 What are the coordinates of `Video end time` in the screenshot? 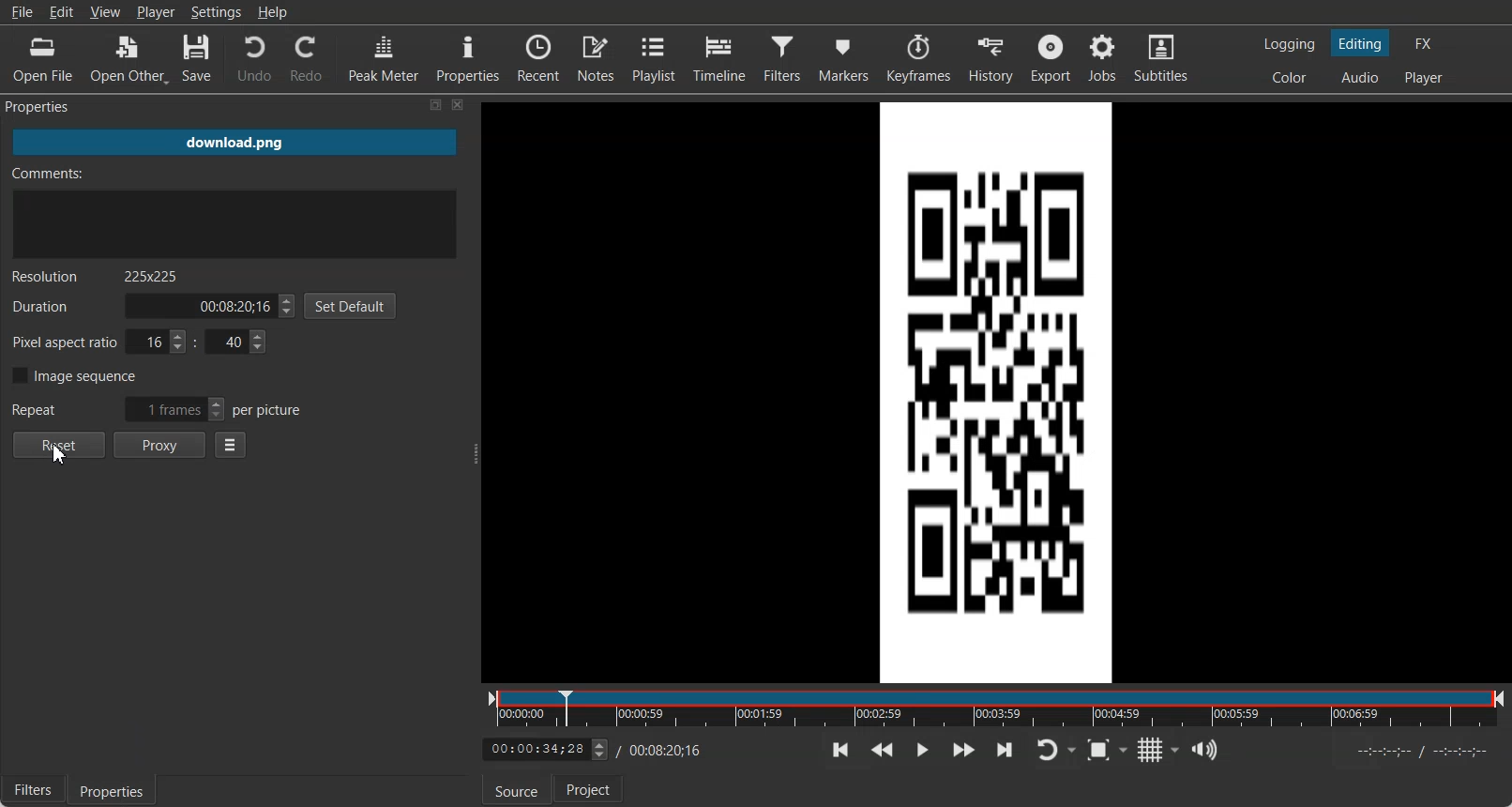 It's located at (668, 751).